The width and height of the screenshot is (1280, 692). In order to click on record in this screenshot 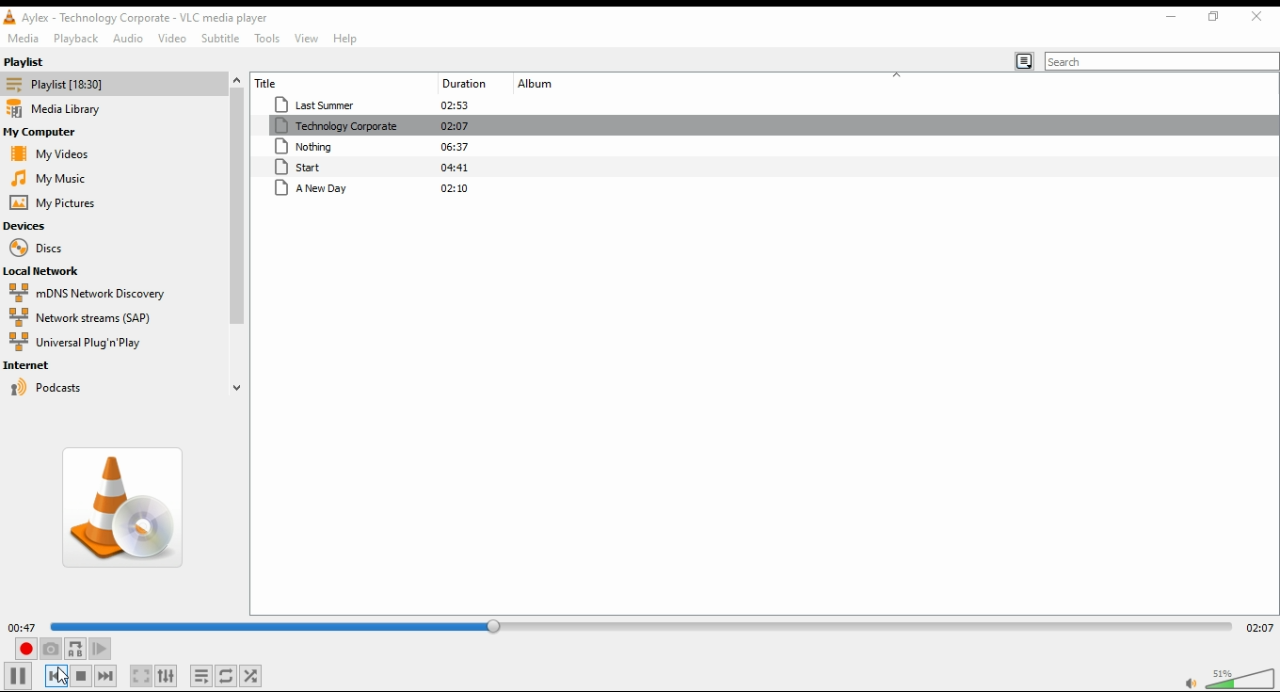, I will do `click(25, 649)`.